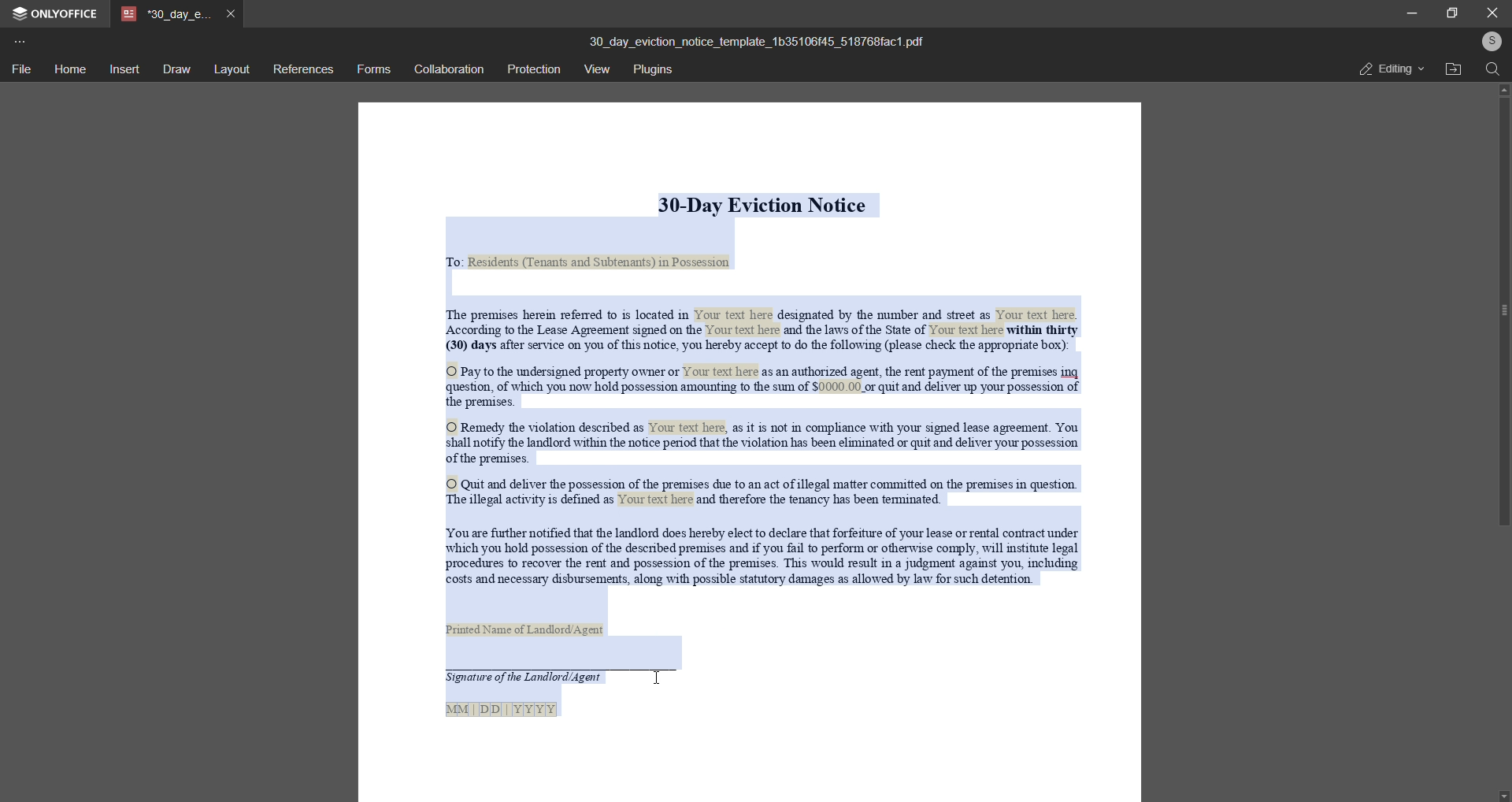  Describe the element at coordinates (751, 451) in the screenshot. I see `(Form font size increased)This is a 30 day eviction notice informing tenants that they must either pay overdue rent,correct a lease violation, or vacate the premises due to illegal activity. Failing to comply will result in legal actions. - font size of selected text increased` at that location.